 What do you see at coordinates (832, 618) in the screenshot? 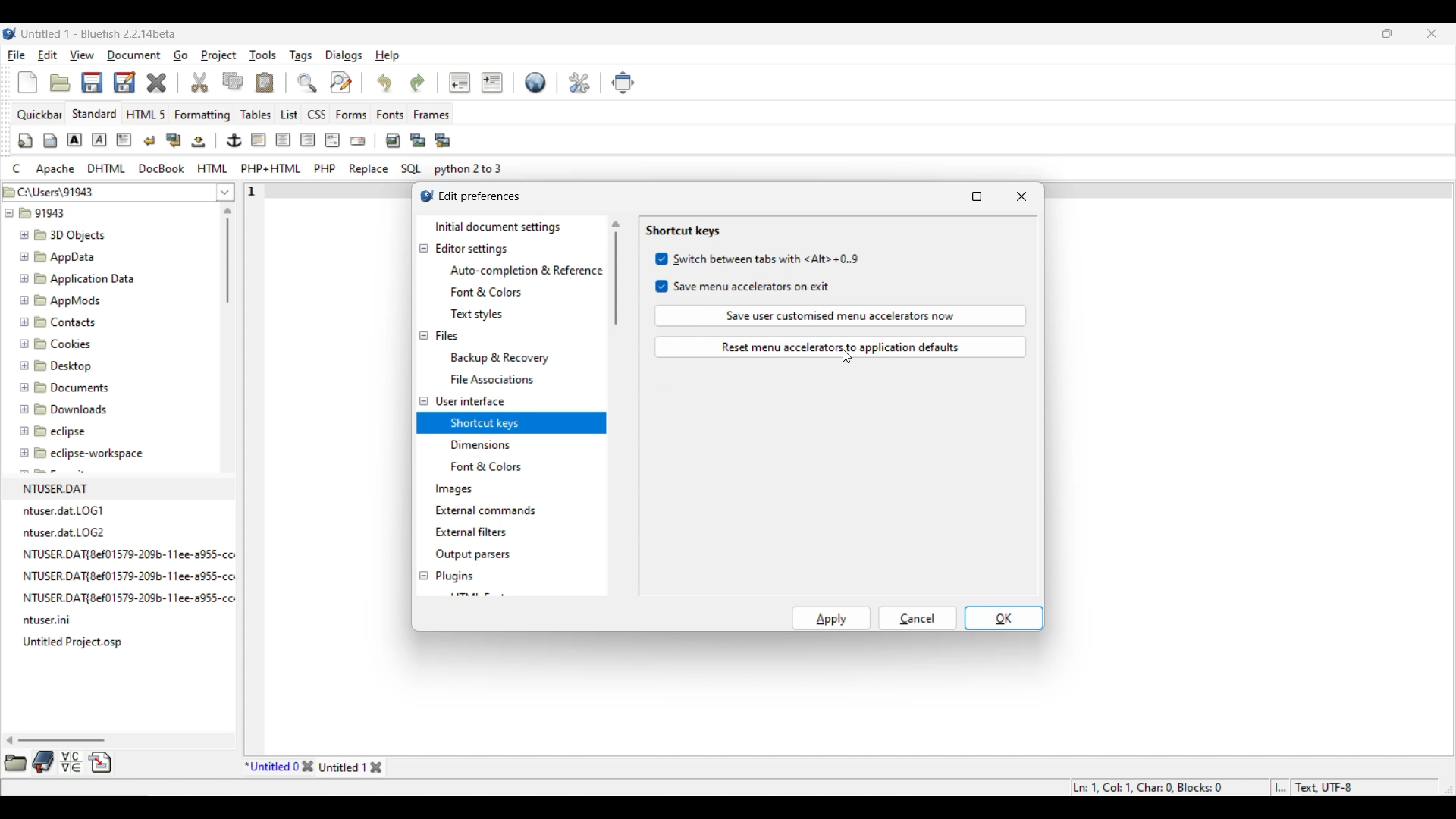
I see `Apply` at bounding box center [832, 618].